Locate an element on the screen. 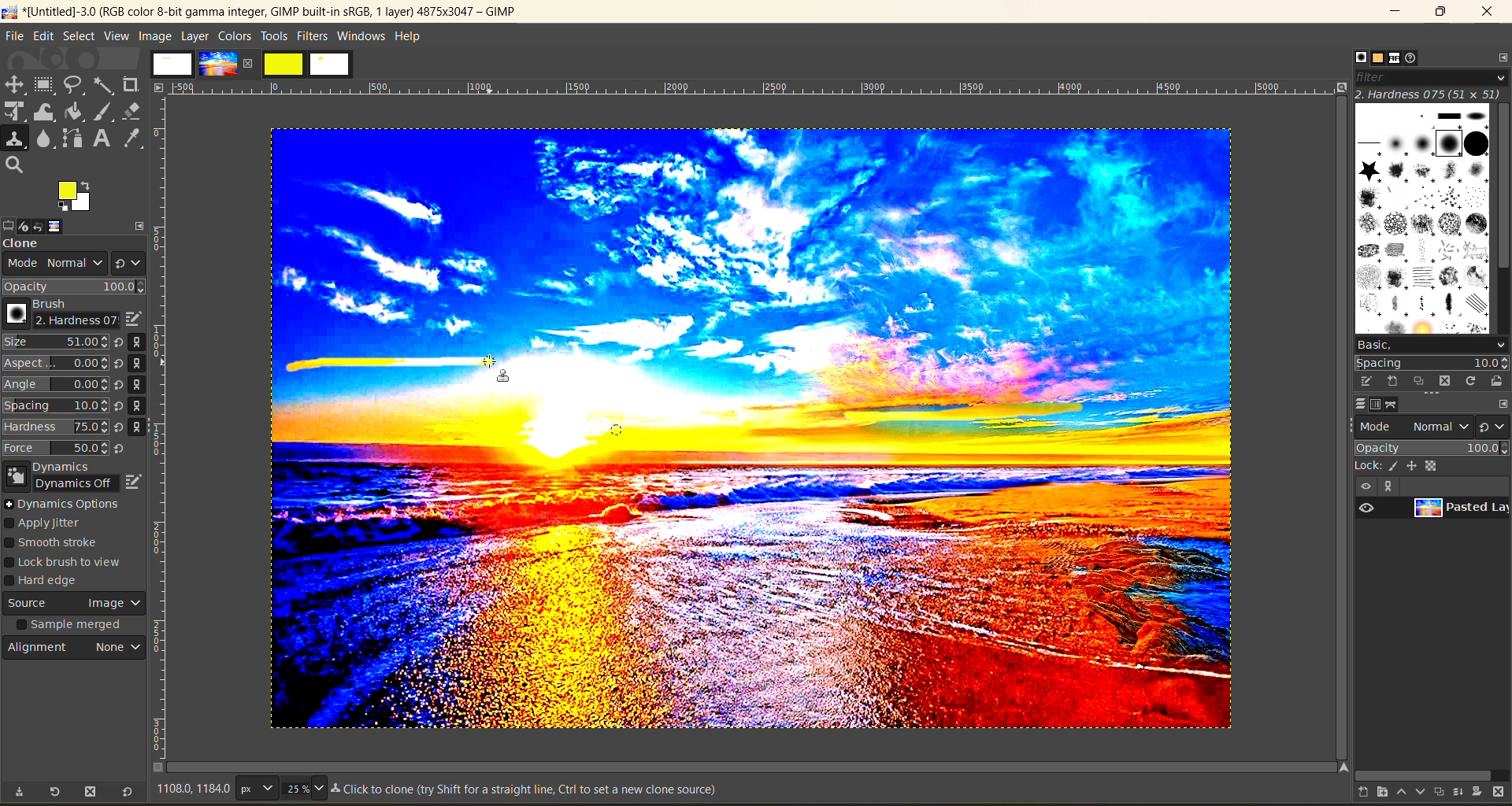 The height and width of the screenshot is (806, 1512). edit is located at coordinates (43, 35).